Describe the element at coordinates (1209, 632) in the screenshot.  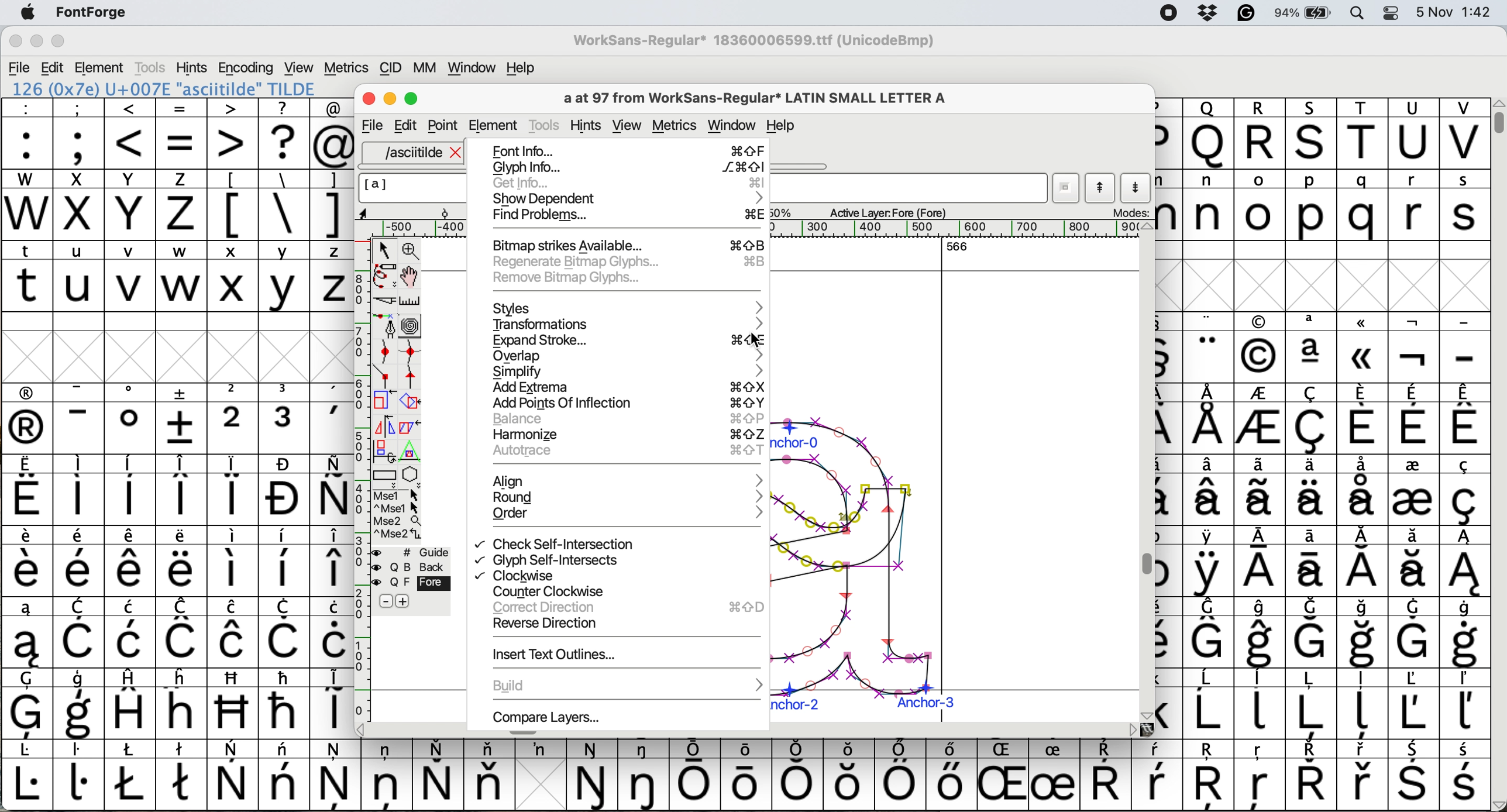
I see `symbol` at that location.